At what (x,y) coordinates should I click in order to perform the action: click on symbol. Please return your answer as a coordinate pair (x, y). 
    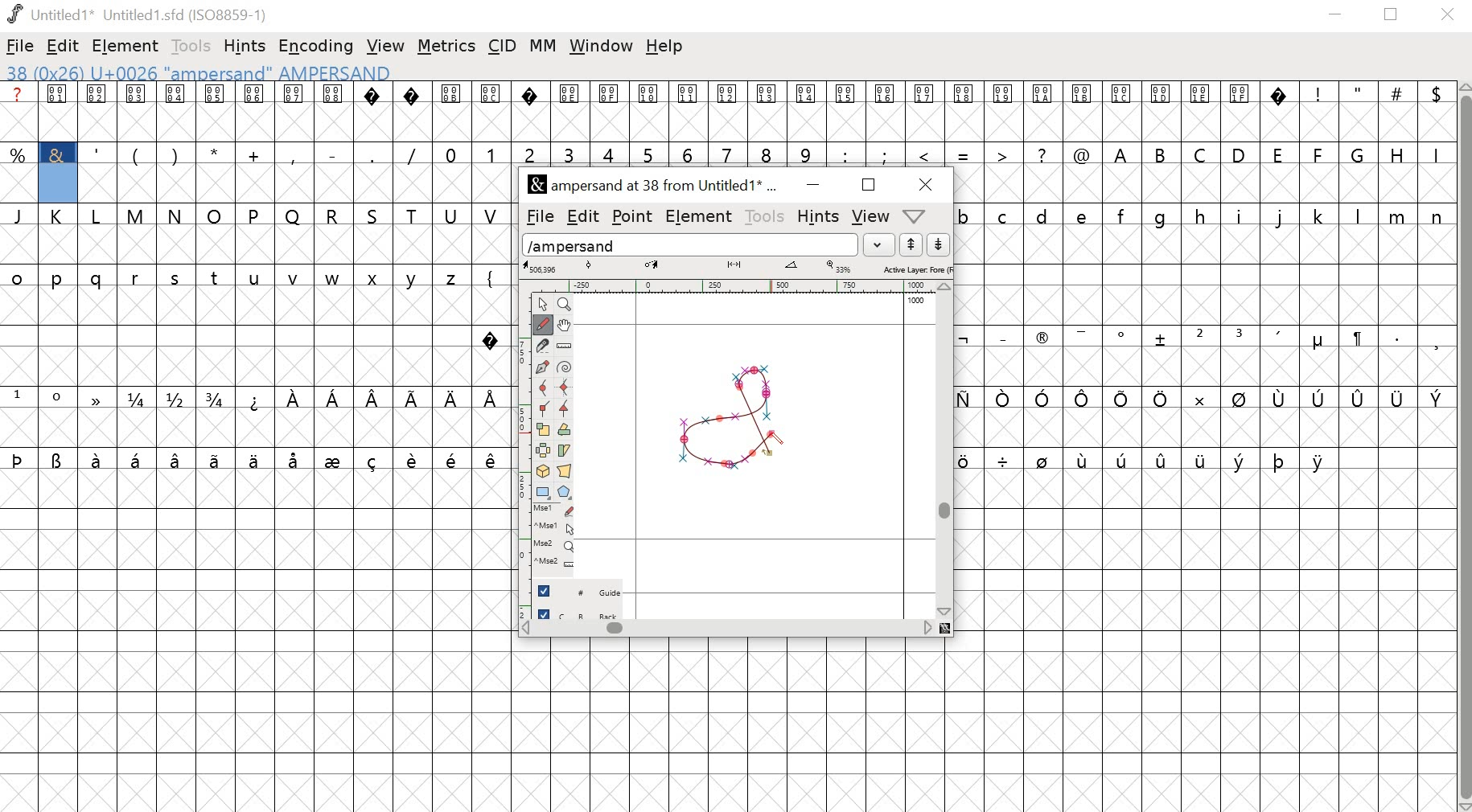
    Looking at the image, I should click on (1398, 398).